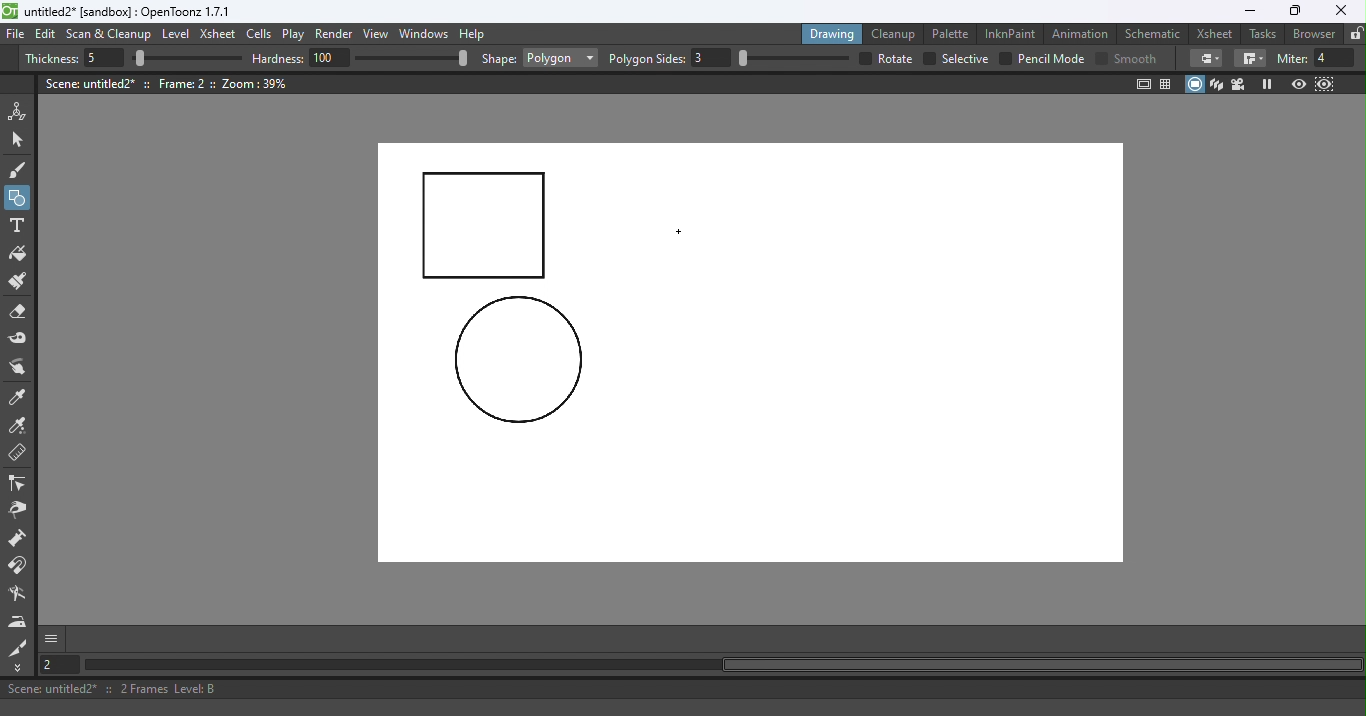 This screenshot has width=1366, height=716. I want to click on Fill tool, so click(18, 256).